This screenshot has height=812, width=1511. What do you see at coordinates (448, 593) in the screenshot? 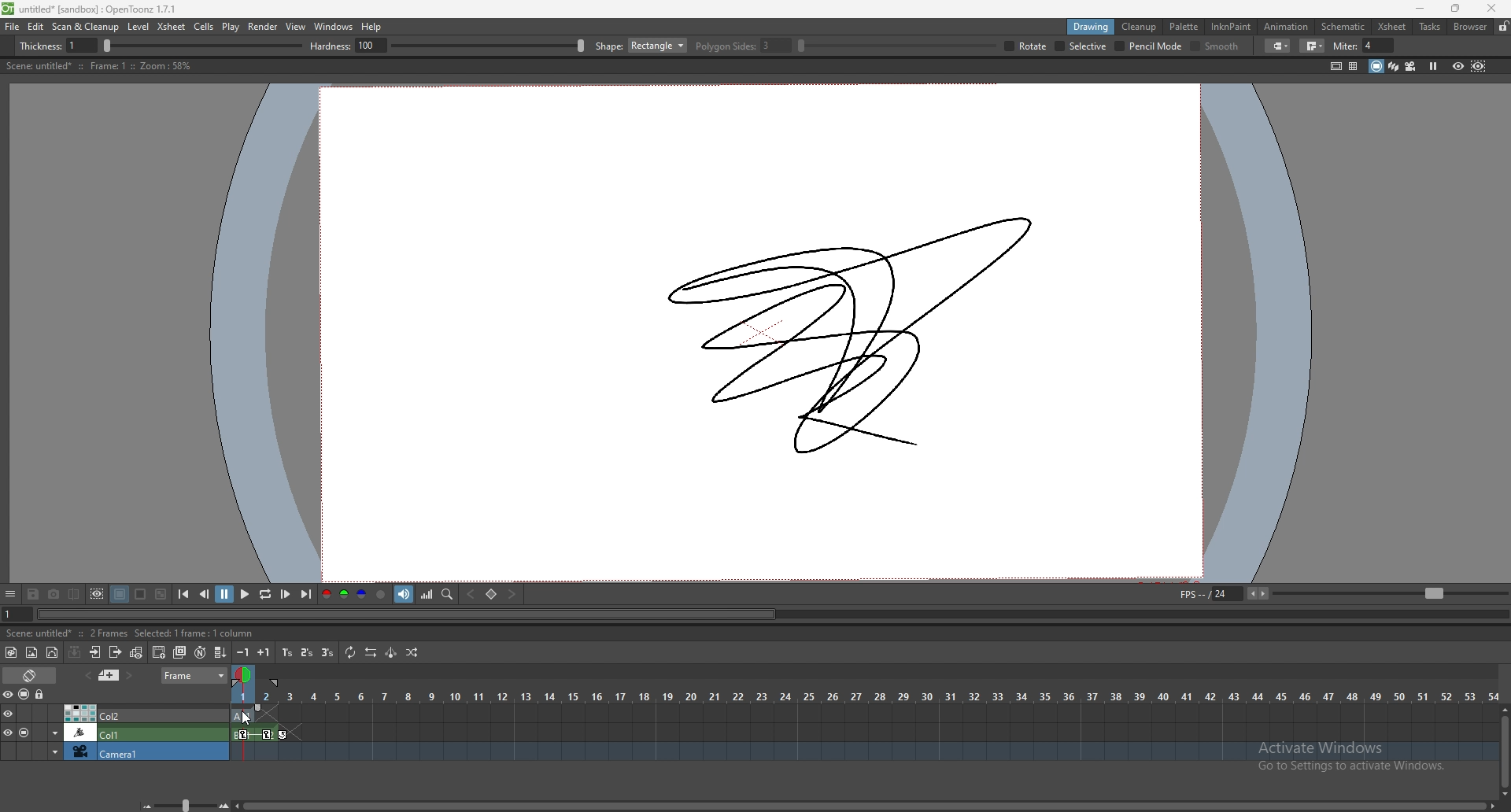
I see `locator` at bounding box center [448, 593].